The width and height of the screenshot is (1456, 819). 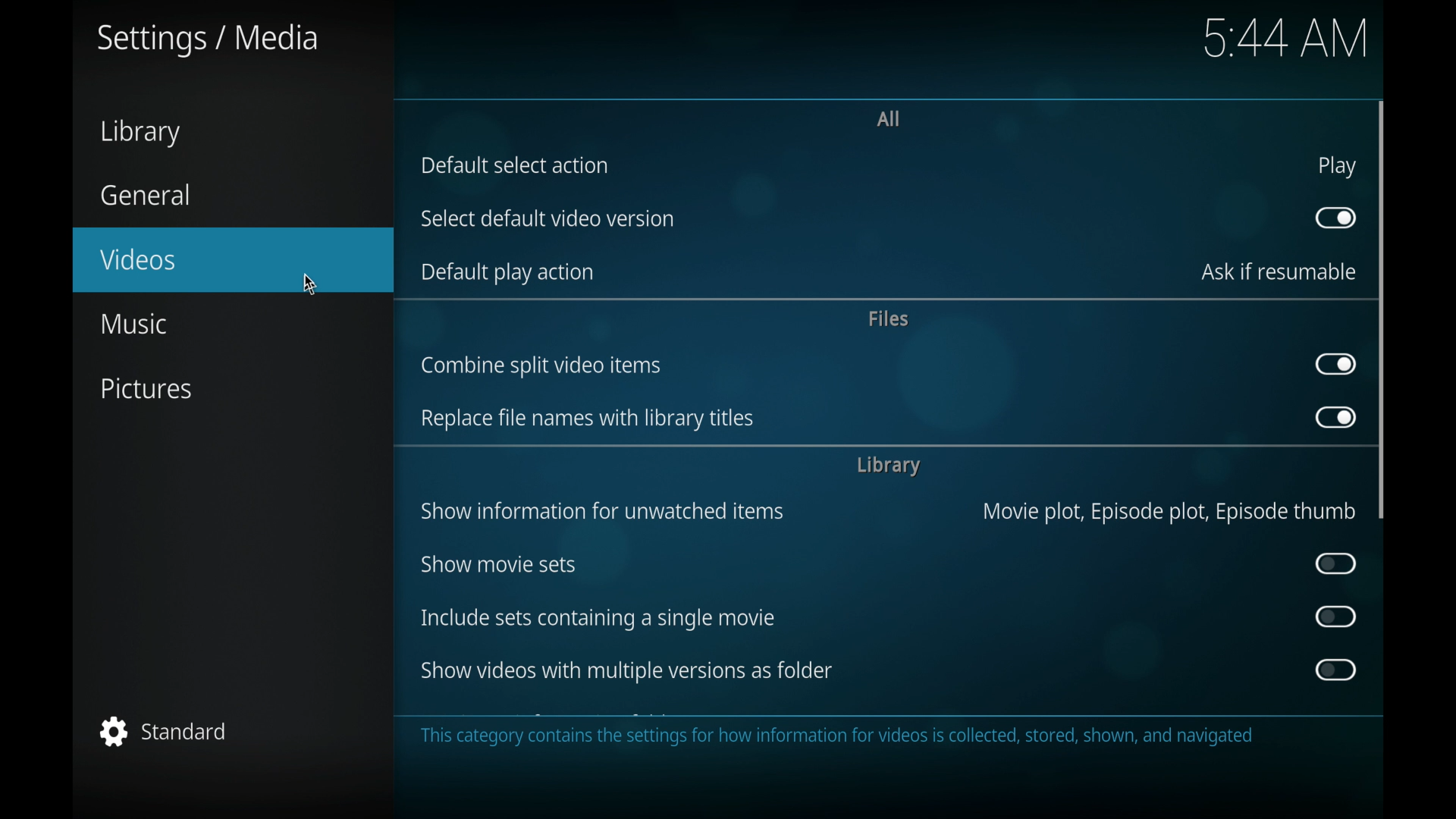 What do you see at coordinates (1334, 670) in the screenshot?
I see `toggle button` at bounding box center [1334, 670].